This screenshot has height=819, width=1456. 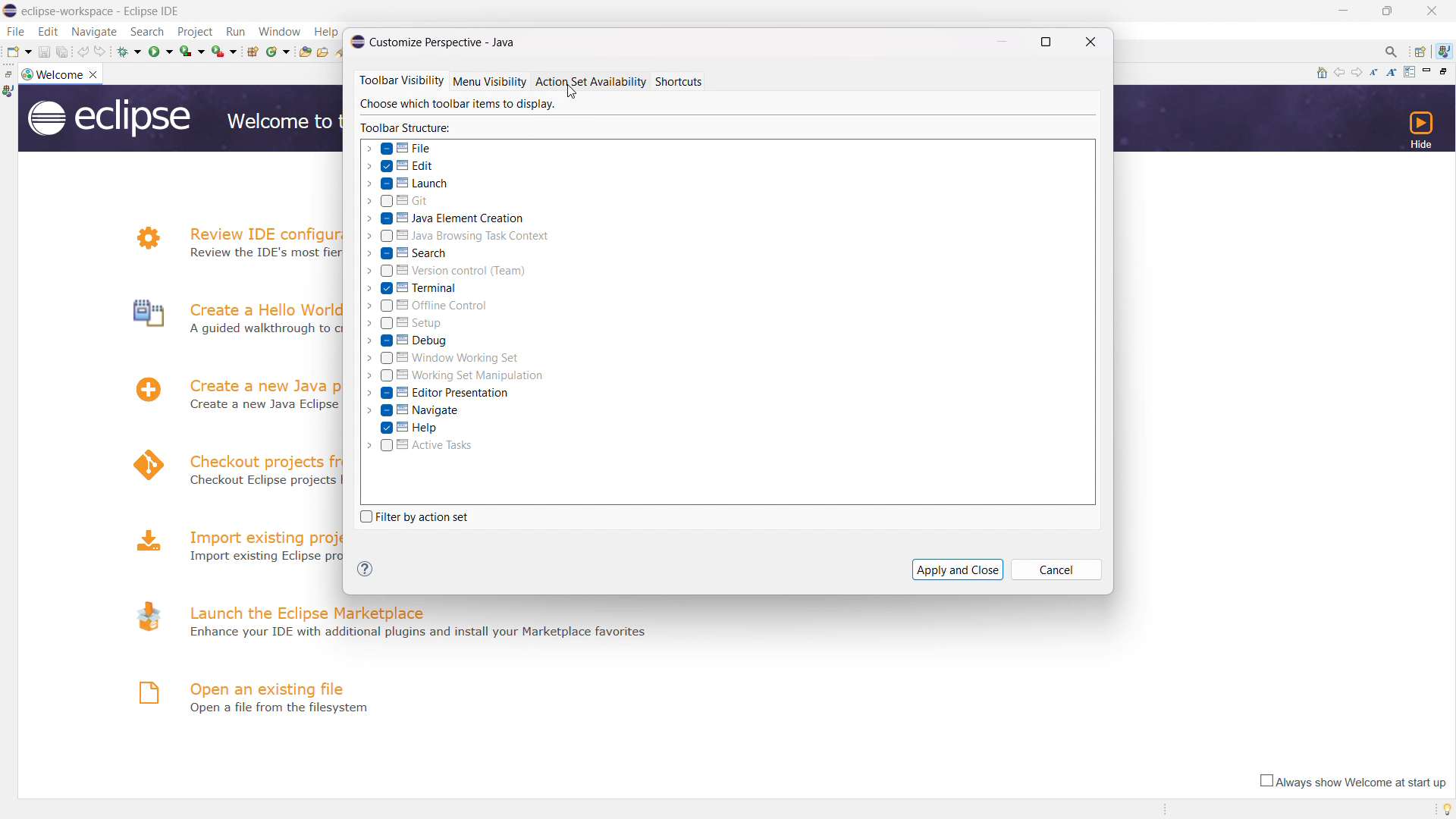 What do you see at coordinates (102, 52) in the screenshot?
I see `redo` at bounding box center [102, 52].